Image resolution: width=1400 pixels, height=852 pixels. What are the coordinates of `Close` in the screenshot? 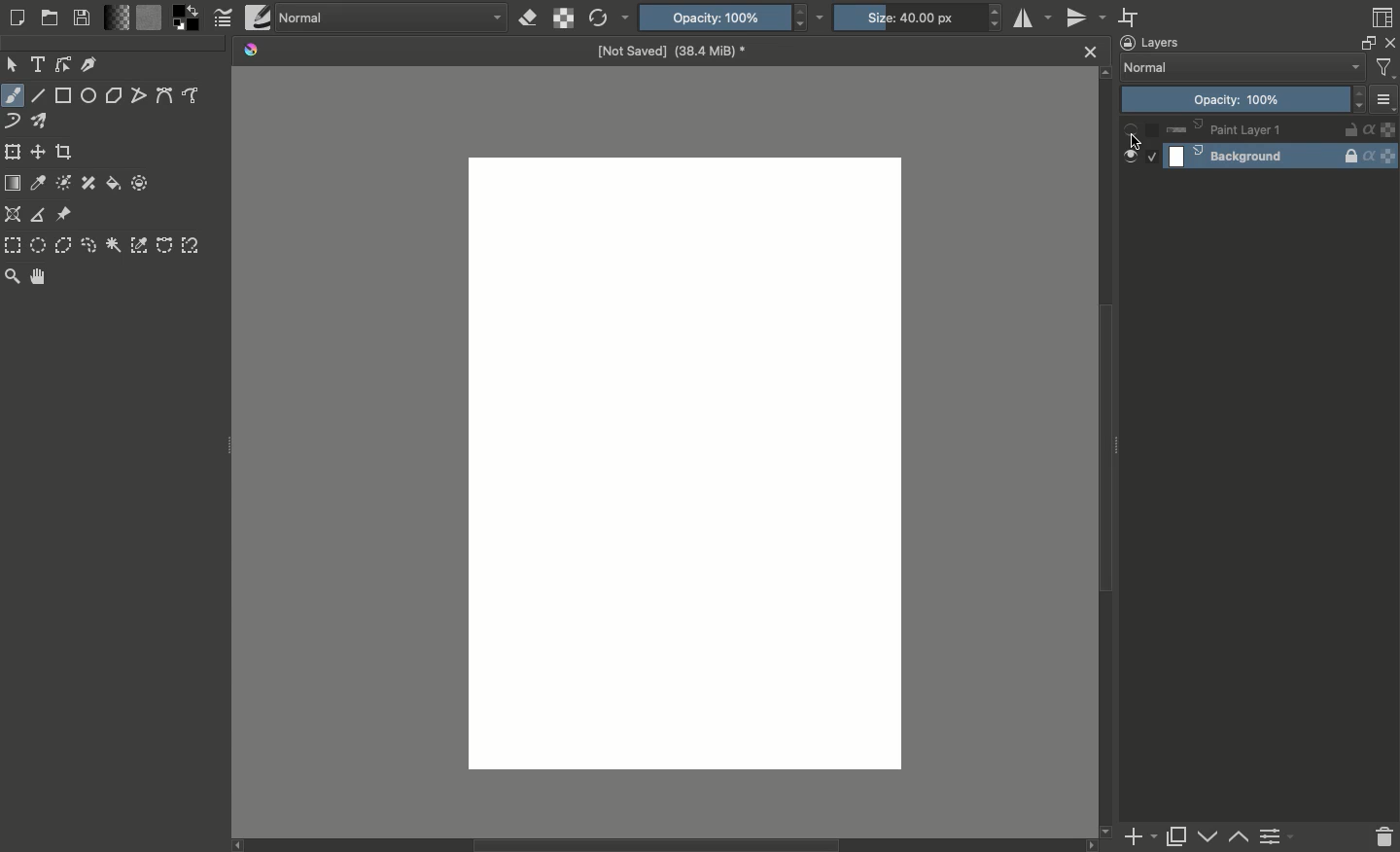 It's located at (1390, 47).